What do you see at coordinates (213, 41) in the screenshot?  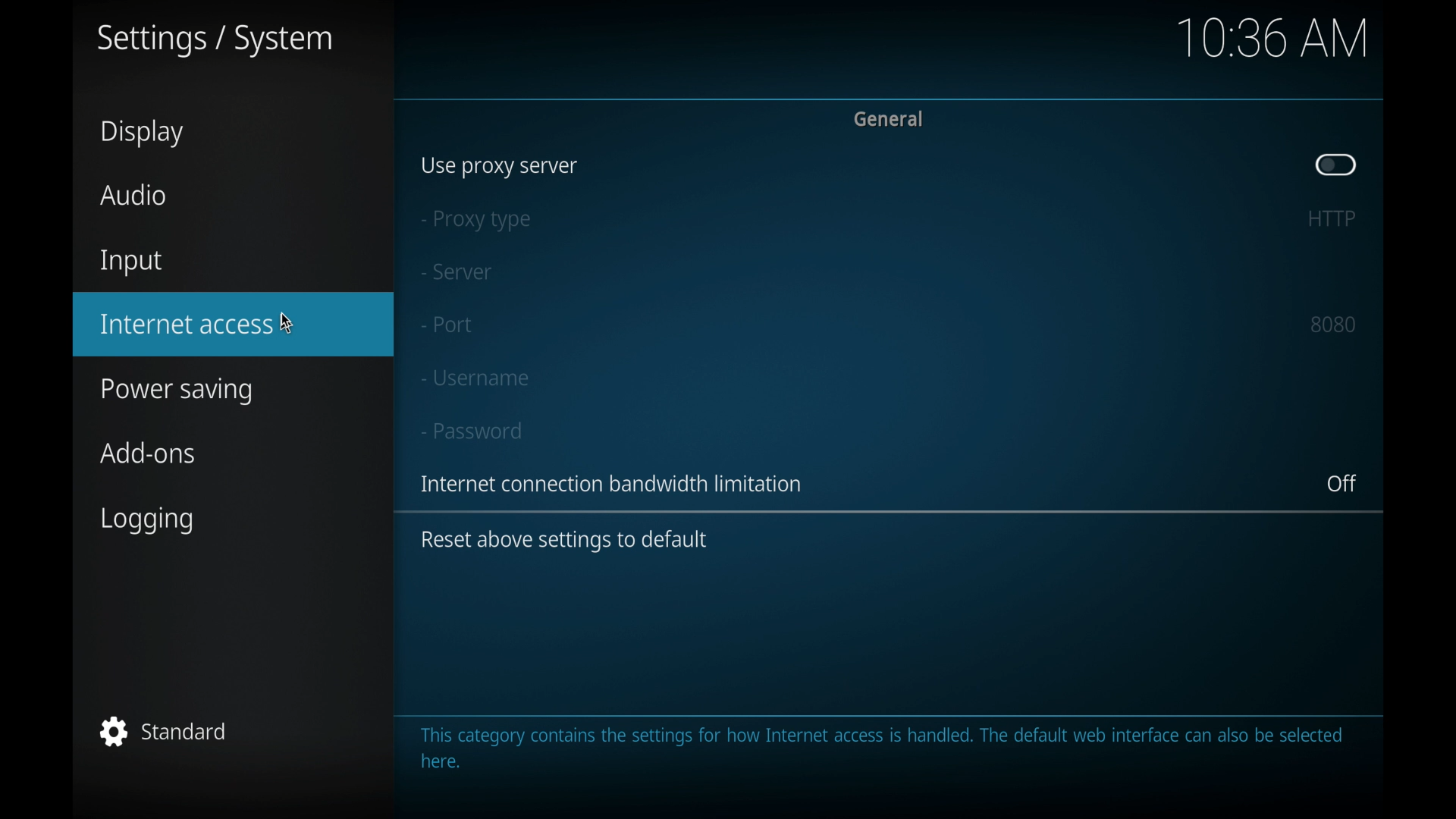 I see `settings/system` at bounding box center [213, 41].